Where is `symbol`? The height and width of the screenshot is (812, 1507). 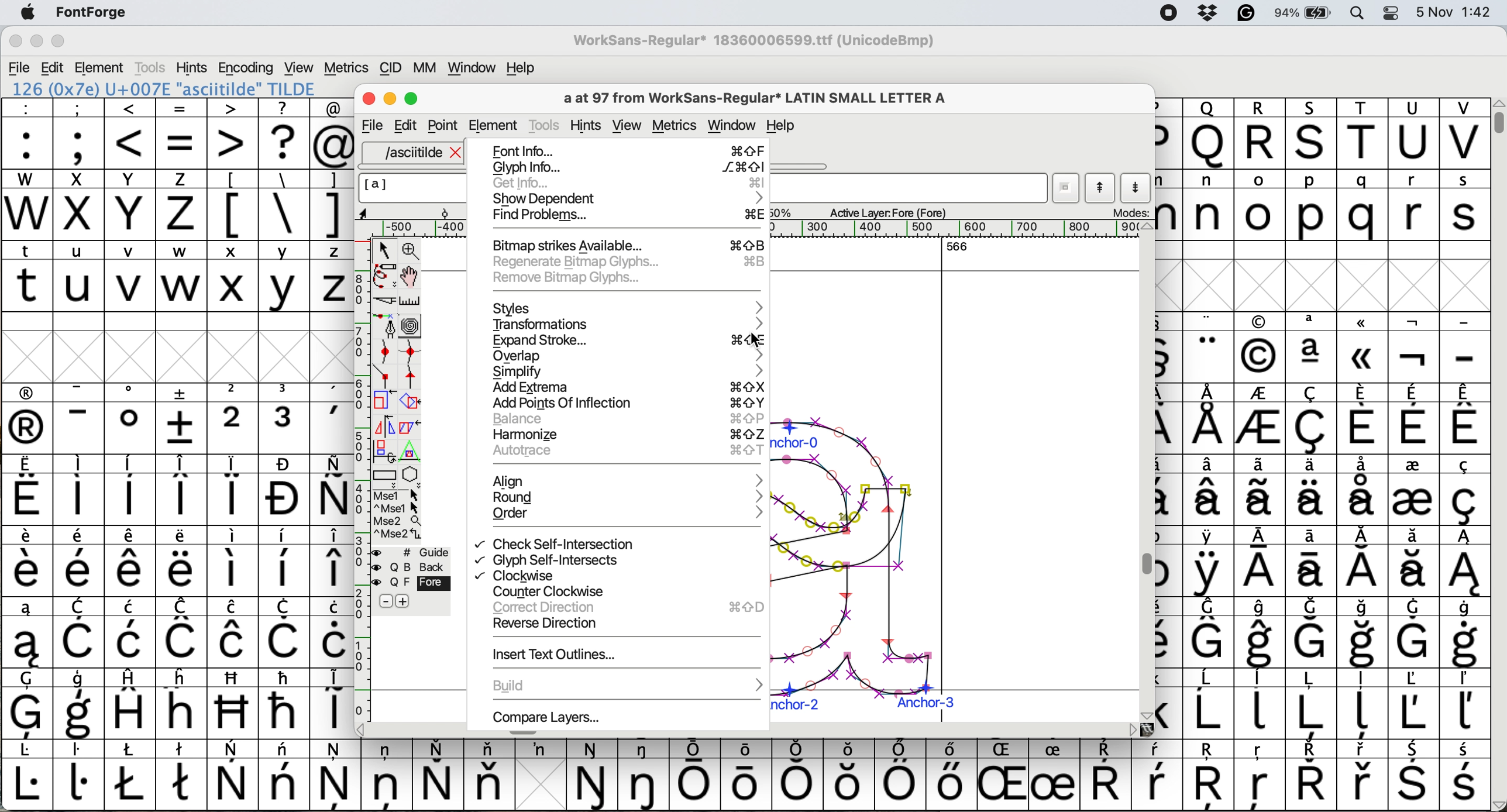
symbol is located at coordinates (79, 774).